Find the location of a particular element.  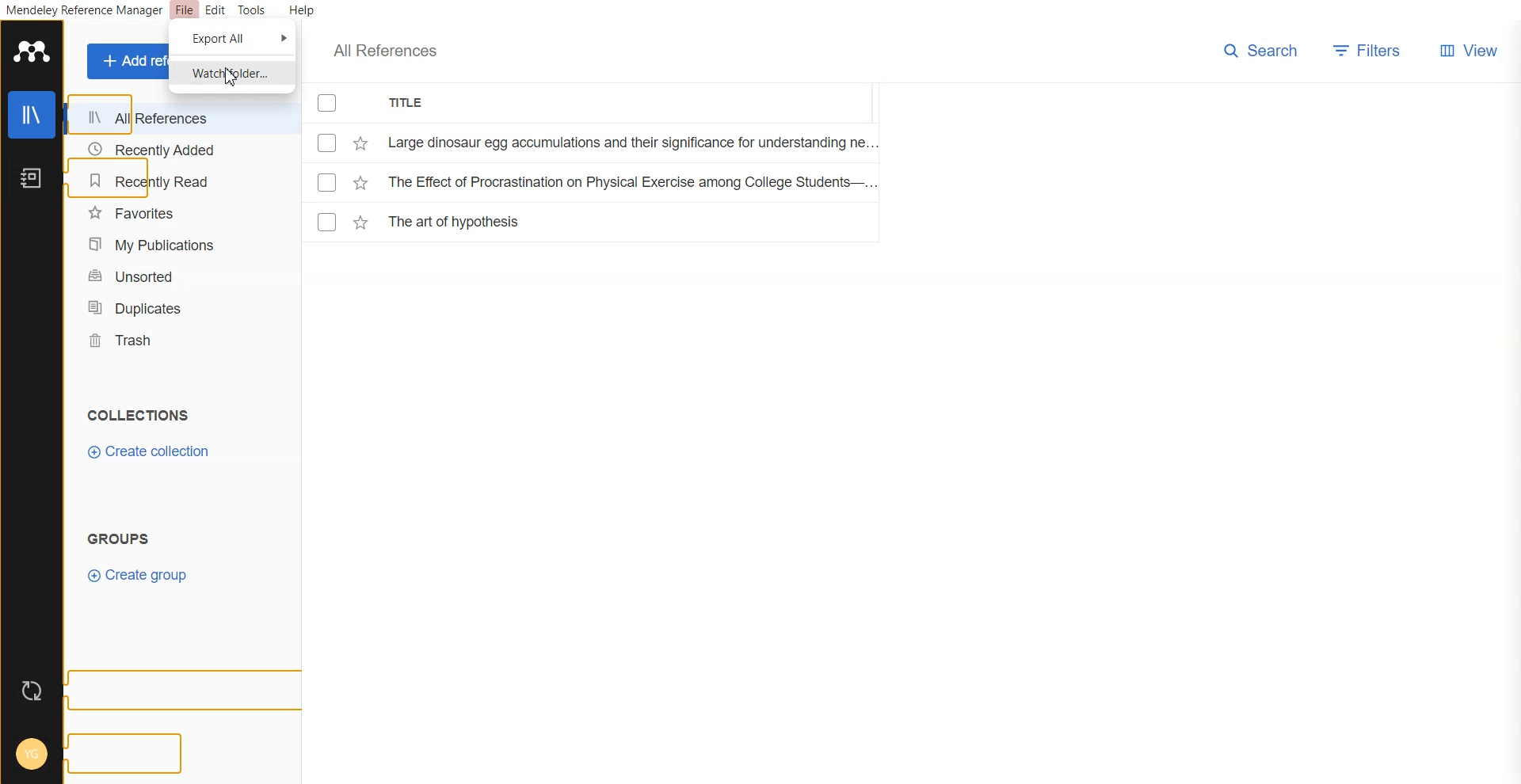

File is located at coordinates (594, 222).